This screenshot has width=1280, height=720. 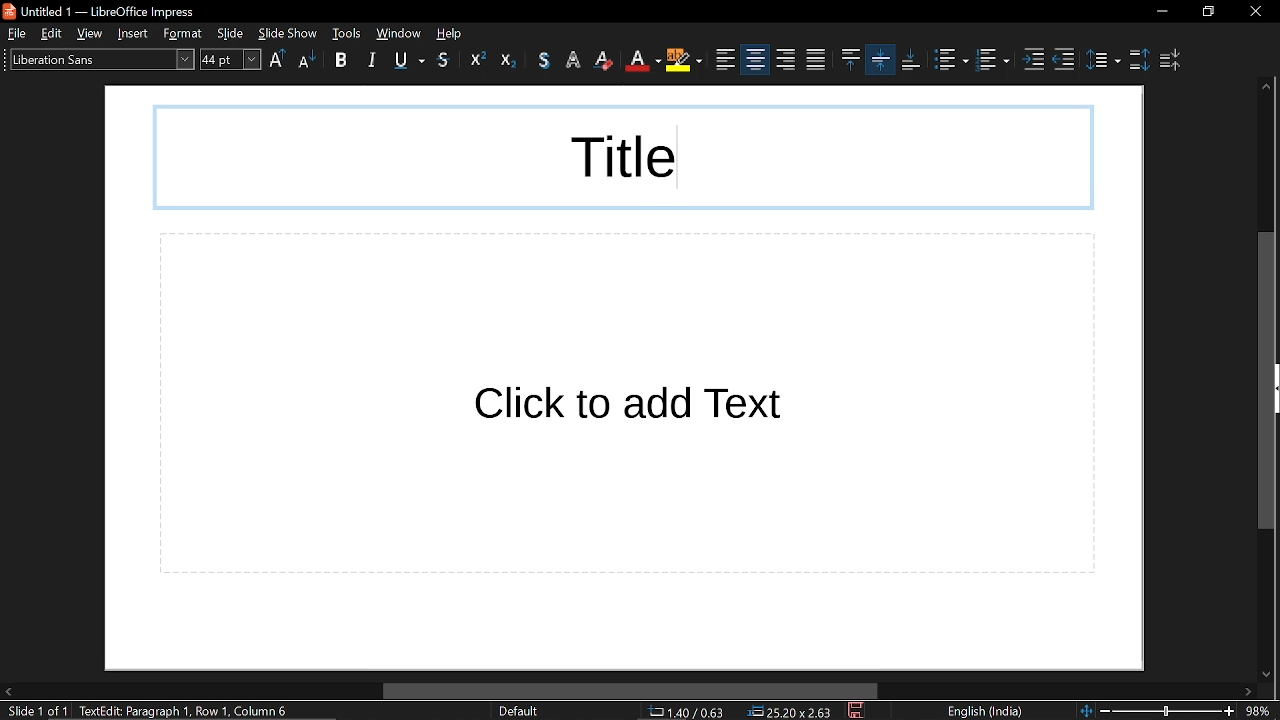 What do you see at coordinates (858, 712) in the screenshot?
I see `save` at bounding box center [858, 712].